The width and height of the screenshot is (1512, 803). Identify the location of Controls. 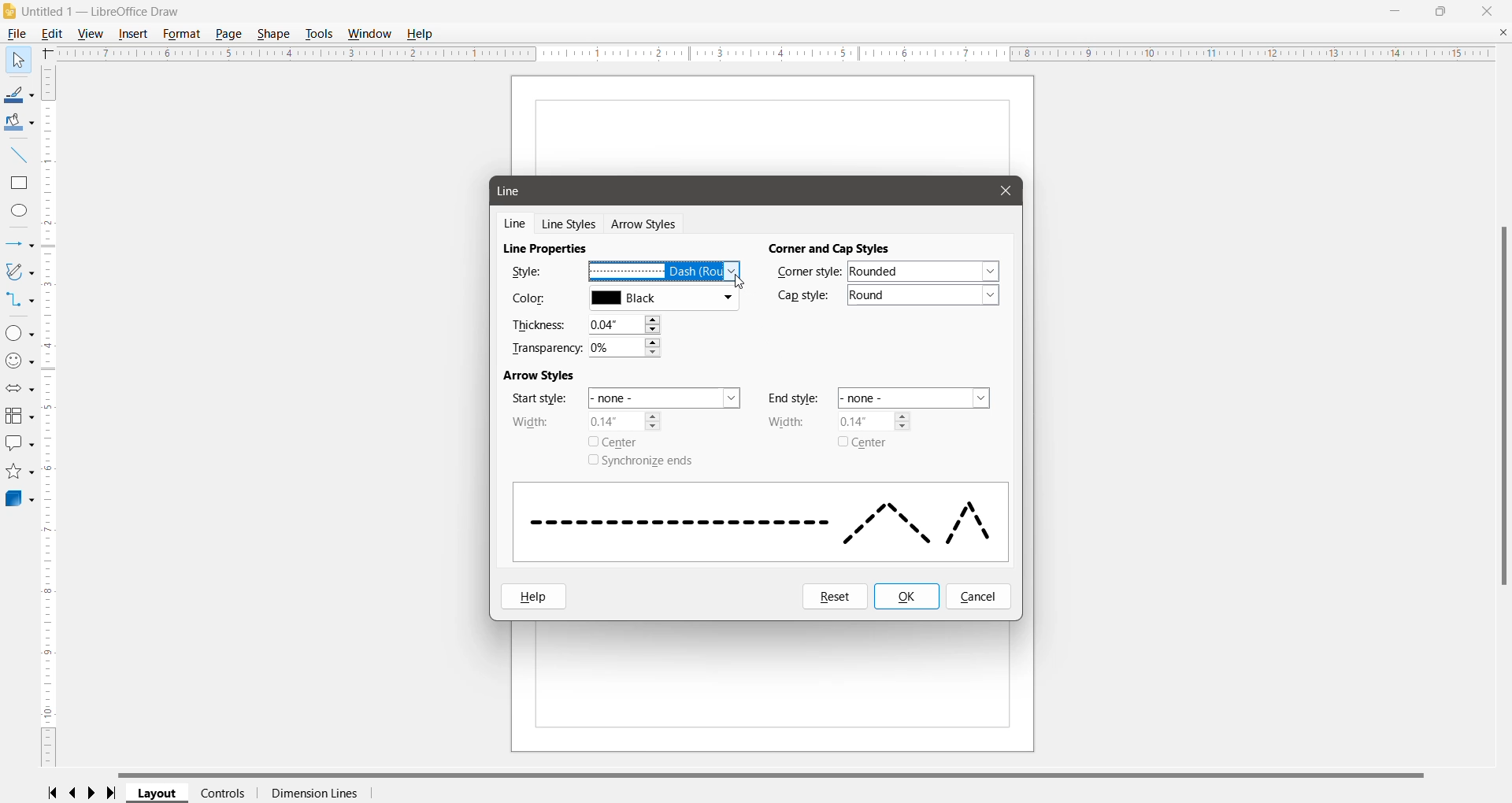
(224, 794).